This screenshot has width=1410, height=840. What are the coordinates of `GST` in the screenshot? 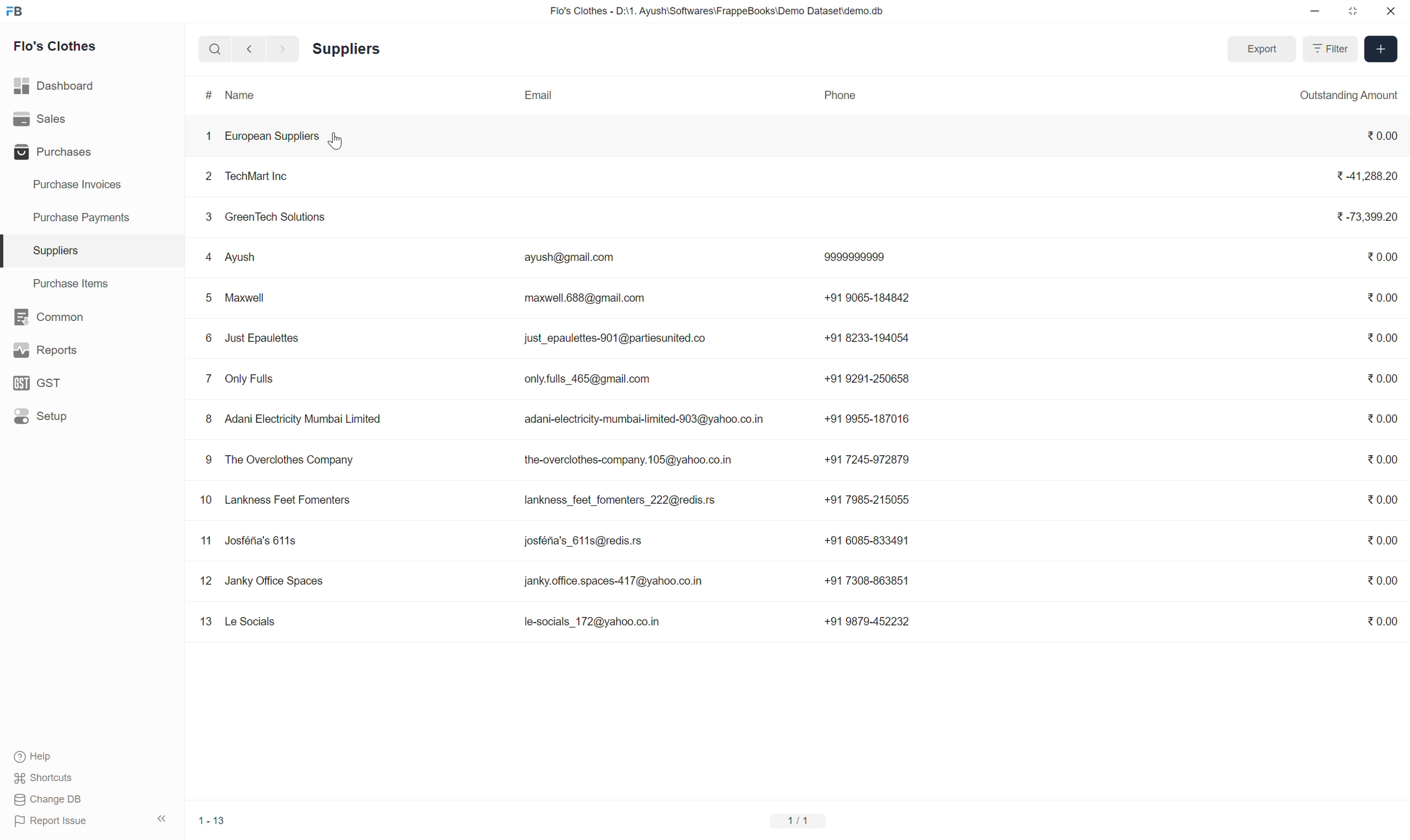 It's located at (37, 377).